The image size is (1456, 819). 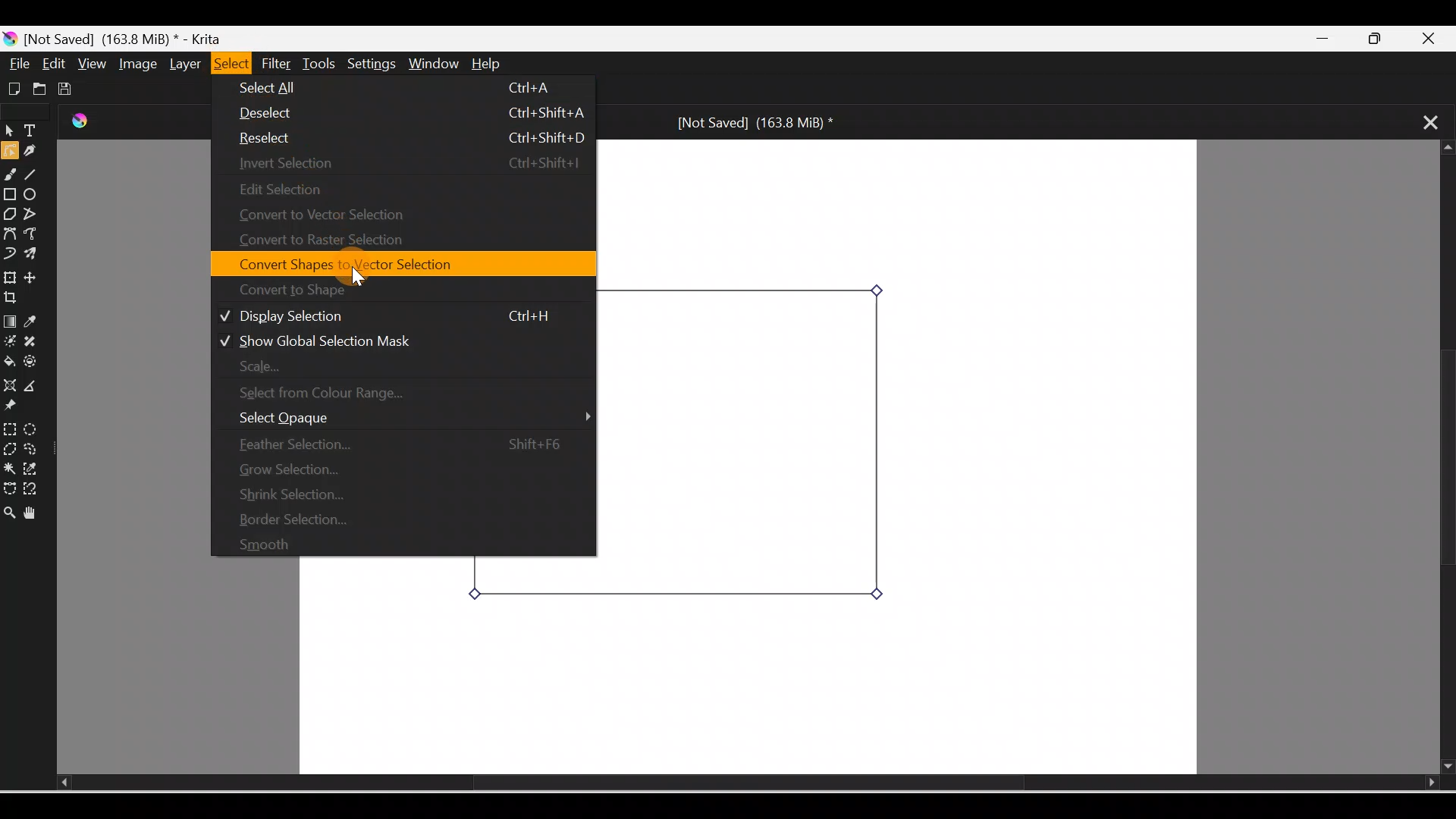 What do you see at coordinates (373, 65) in the screenshot?
I see `Settings` at bounding box center [373, 65].